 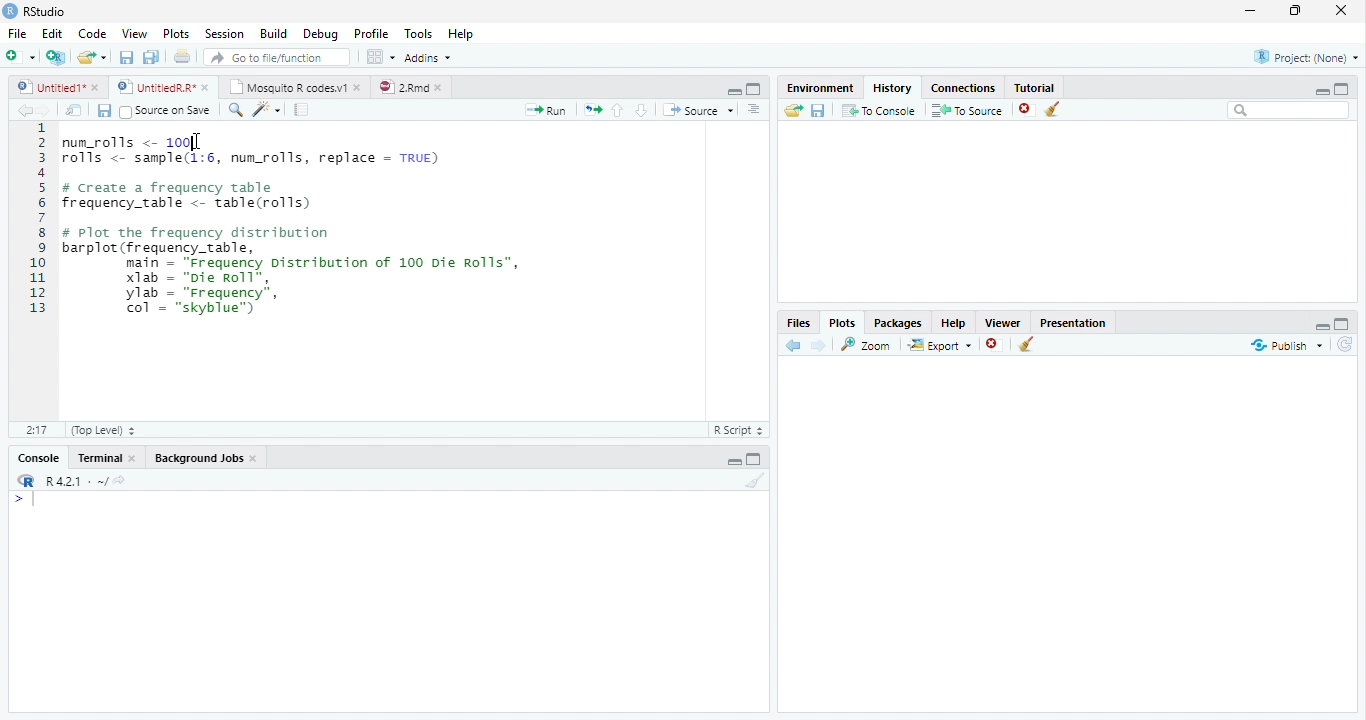 I want to click on Save all open files, so click(x=151, y=57).